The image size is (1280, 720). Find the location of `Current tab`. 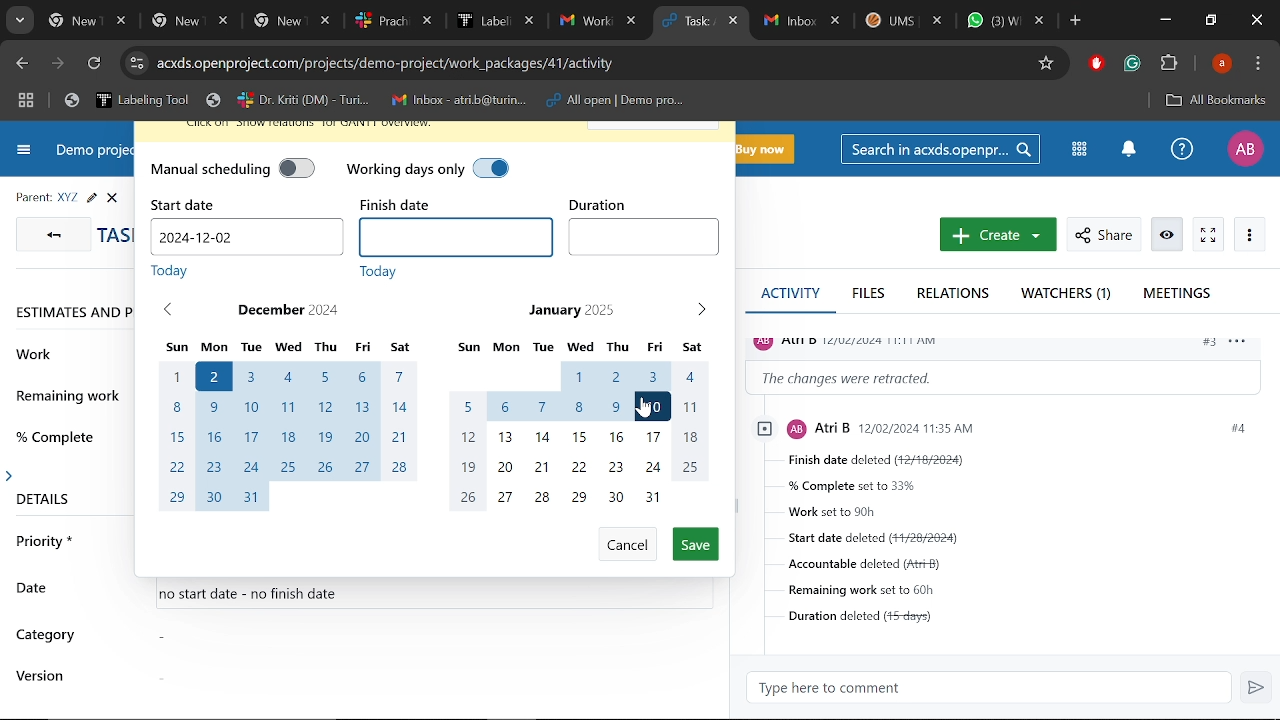

Current tab is located at coordinates (690, 22).